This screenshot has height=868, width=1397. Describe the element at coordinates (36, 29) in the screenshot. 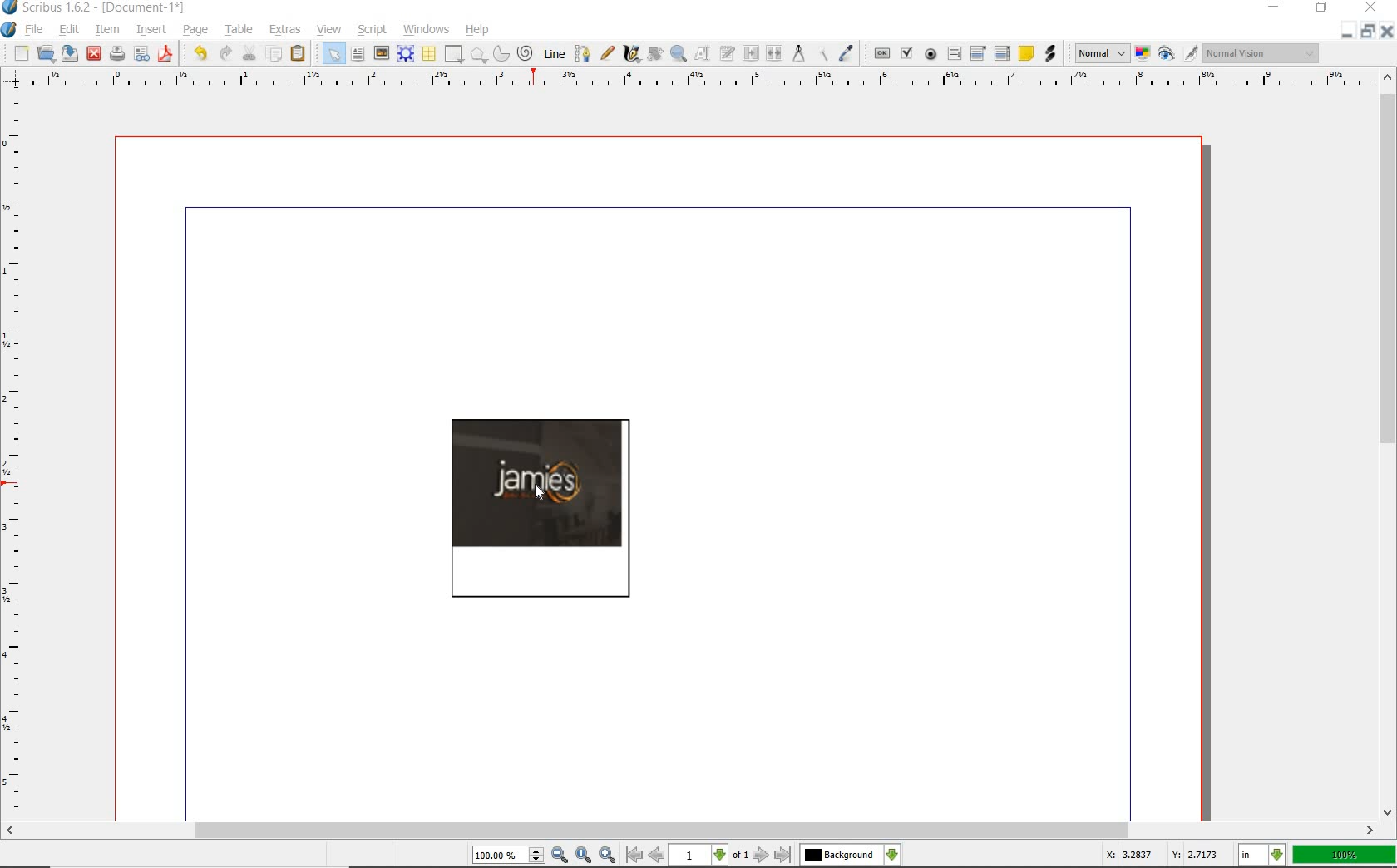

I see `file` at that location.